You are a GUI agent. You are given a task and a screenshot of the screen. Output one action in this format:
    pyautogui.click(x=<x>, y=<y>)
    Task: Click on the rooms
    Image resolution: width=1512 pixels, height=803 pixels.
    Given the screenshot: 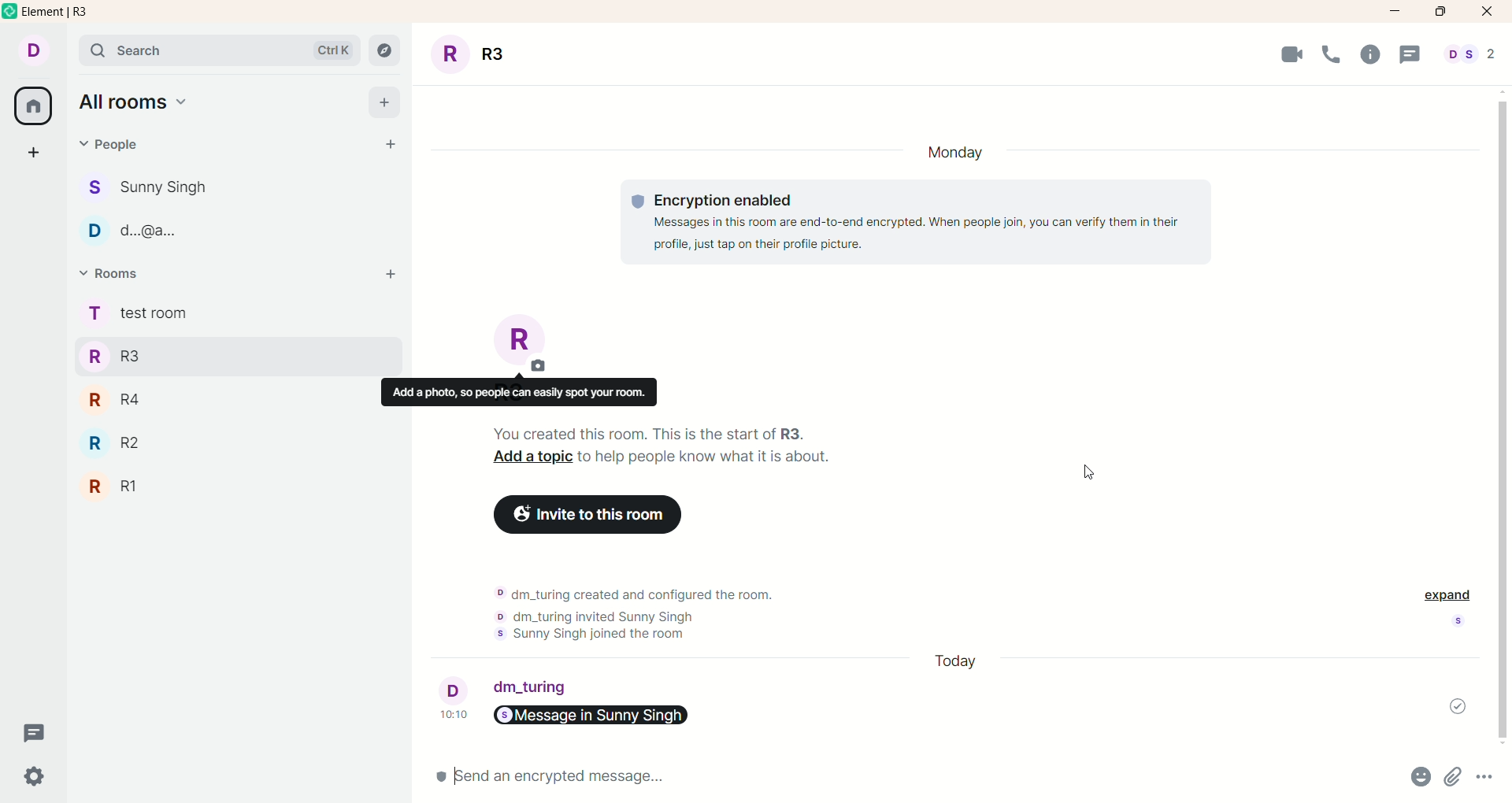 What is the action you would take?
    pyautogui.click(x=112, y=276)
    